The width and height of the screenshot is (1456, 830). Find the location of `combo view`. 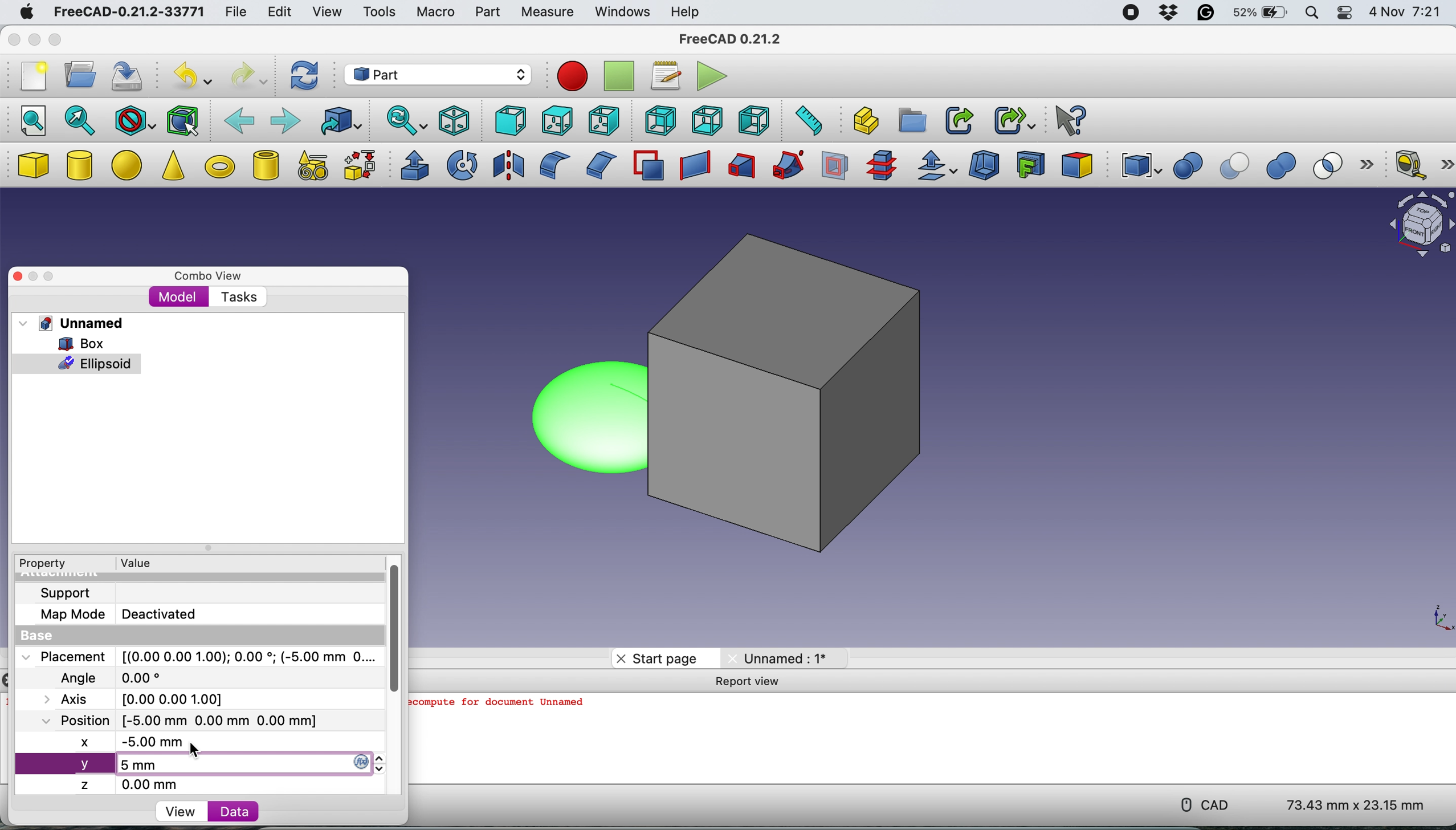

combo view is located at coordinates (204, 272).